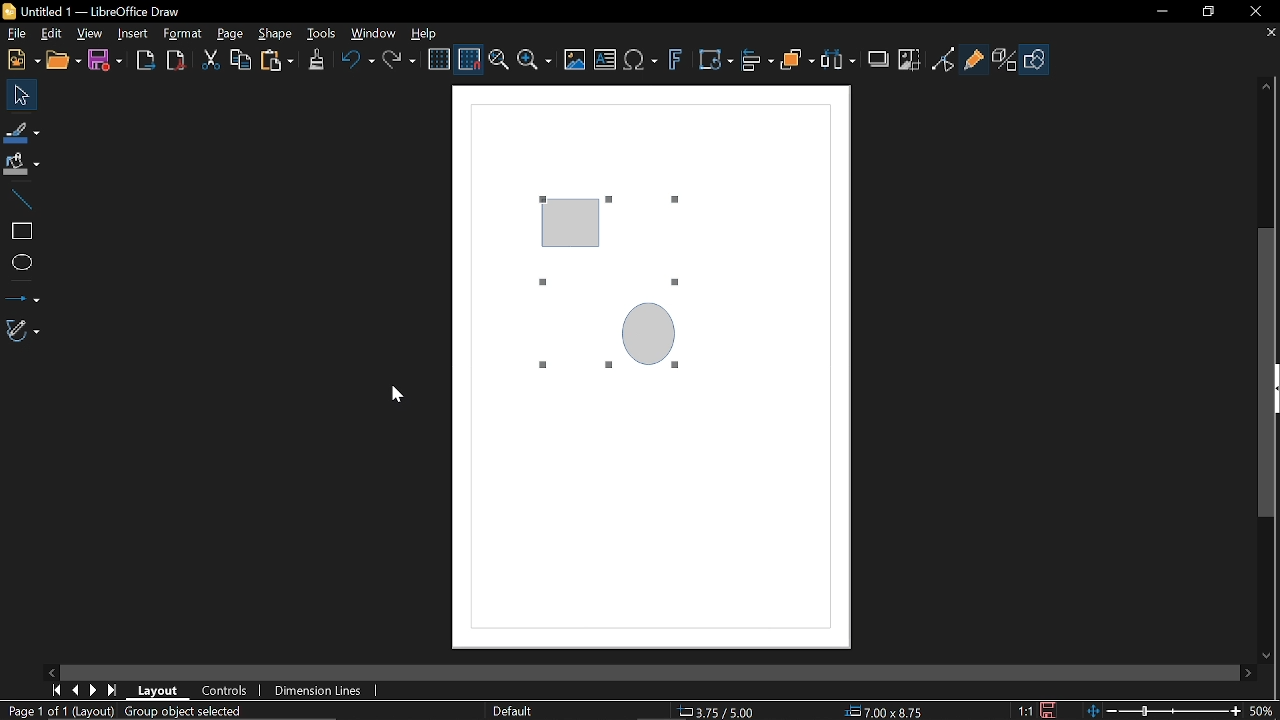 This screenshot has width=1280, height=720. Describe the element at coordinates (636, 672) in the screenshot. I see `side scroll bar` at that location.